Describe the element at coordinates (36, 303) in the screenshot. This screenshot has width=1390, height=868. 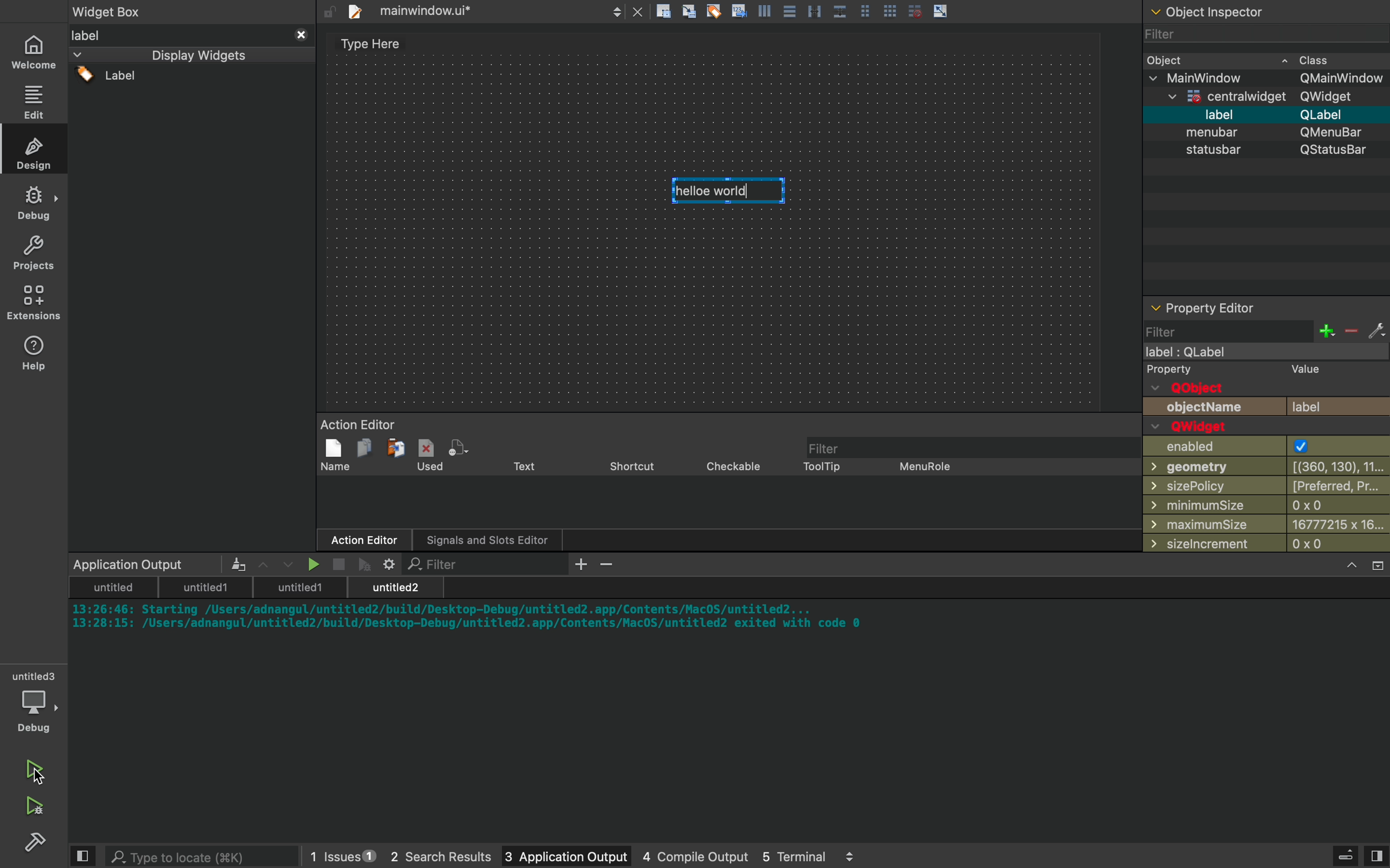
I see `extensions` at that location.